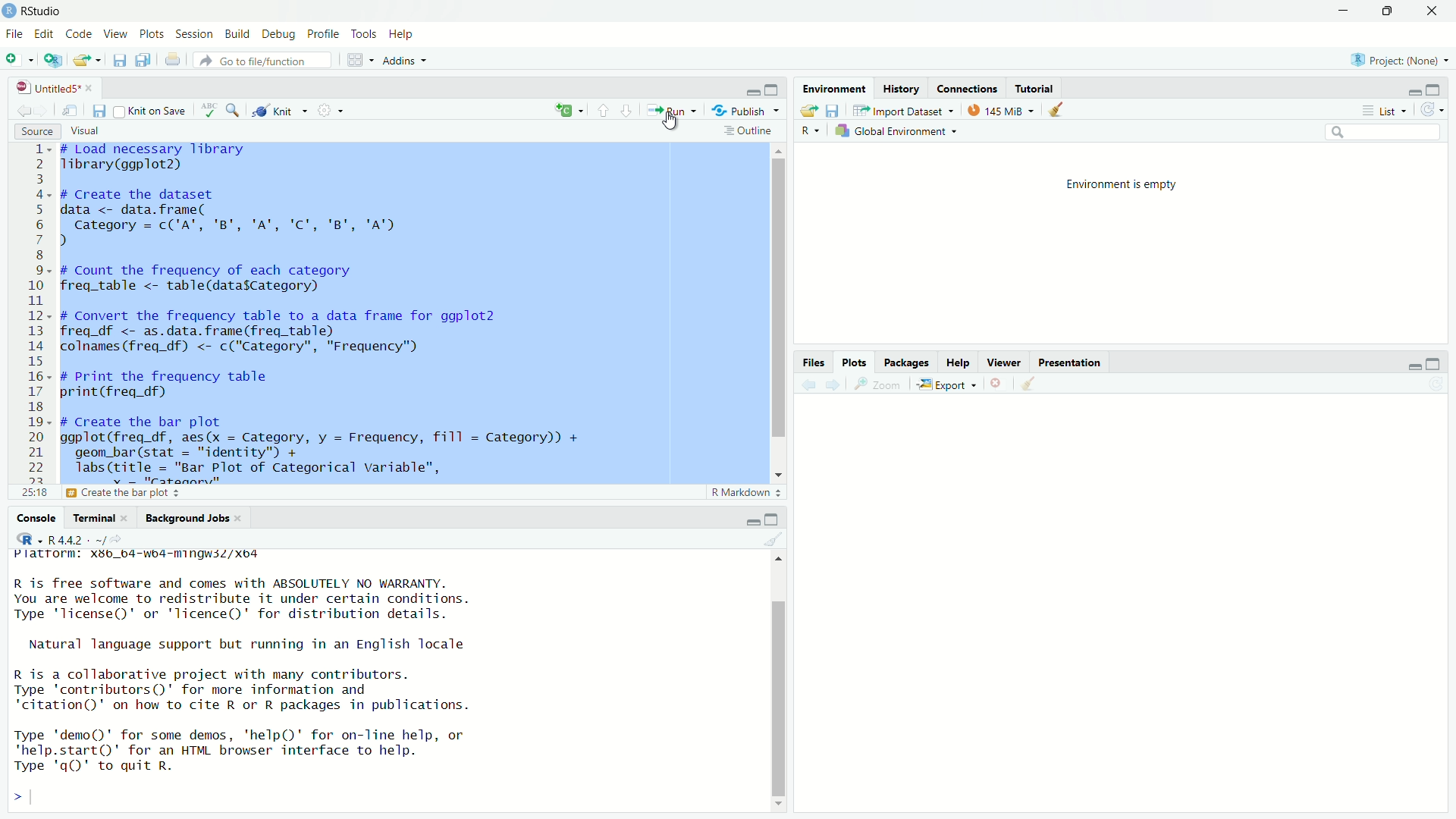 Image resolution: width=1456 pixels, height=819 pixels. Describe the element at coordinates (1005, 364) in the screenshot. I see `viewer` at that location.